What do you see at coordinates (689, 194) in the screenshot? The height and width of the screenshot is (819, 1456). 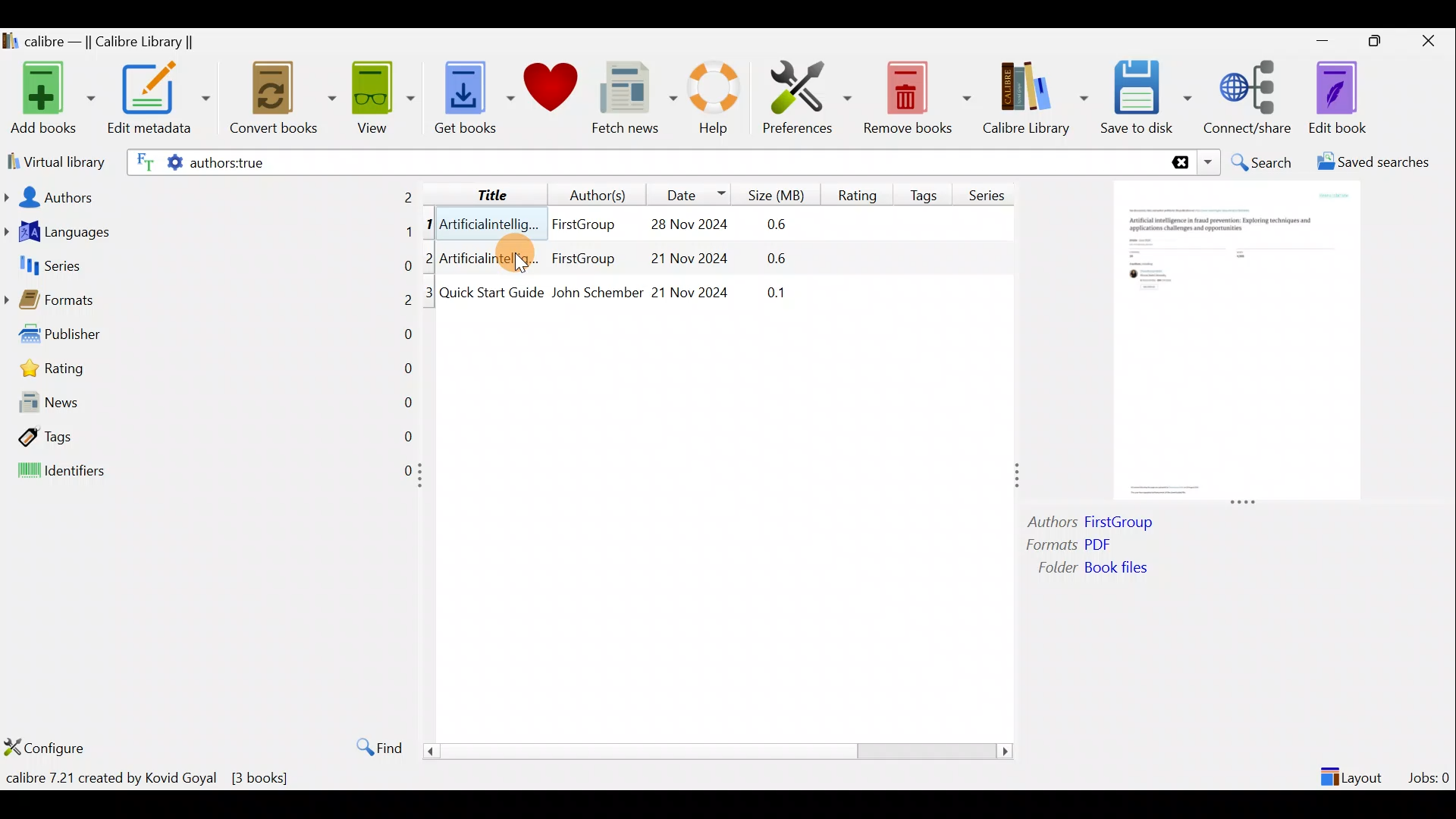 I see `Date` at bounding box center [689, 194].